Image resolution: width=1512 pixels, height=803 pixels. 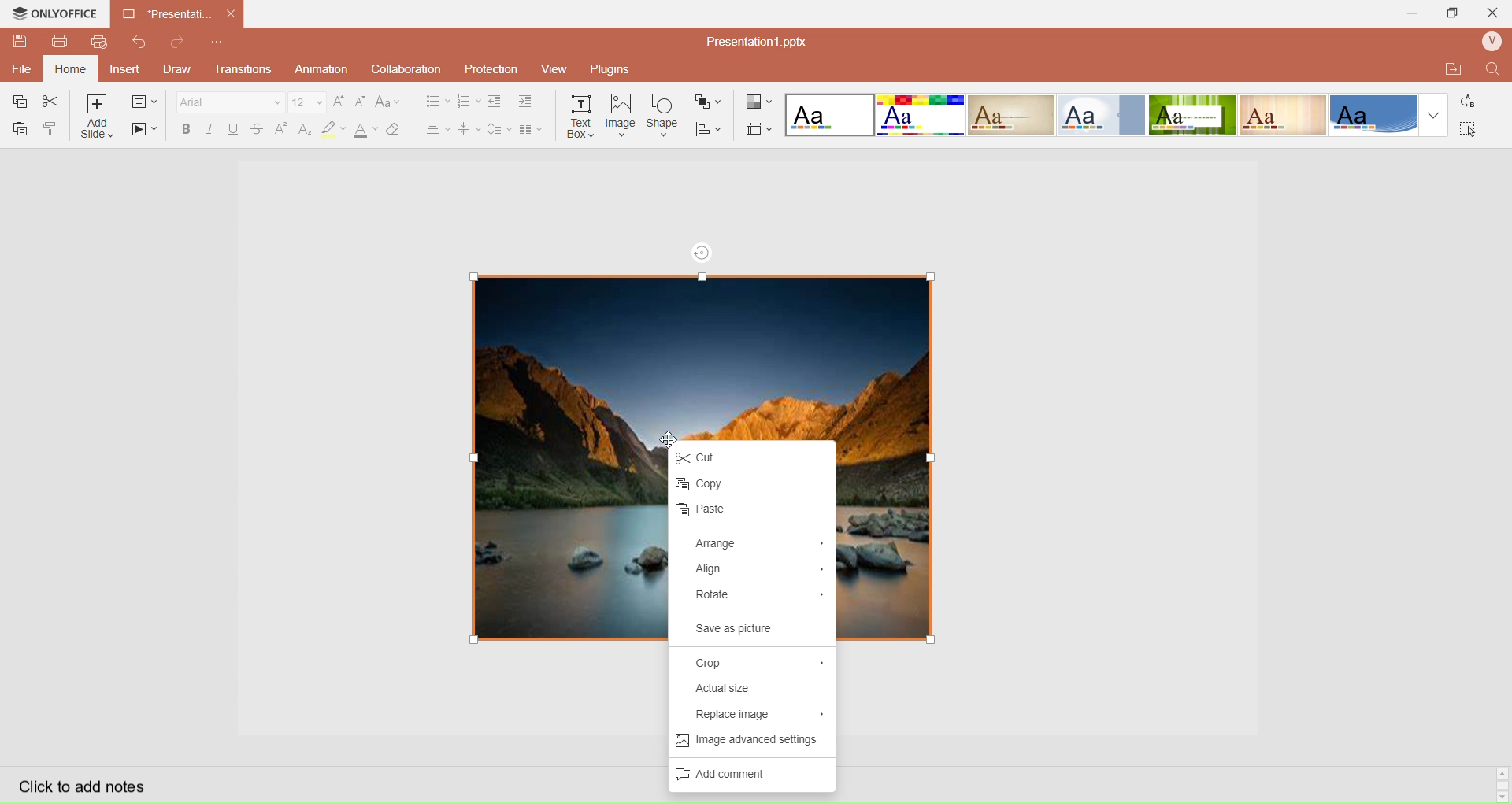 What do you see at coordinates (753, 509) in the screenshot?
I see `paste` at bounding box center [753, 509].